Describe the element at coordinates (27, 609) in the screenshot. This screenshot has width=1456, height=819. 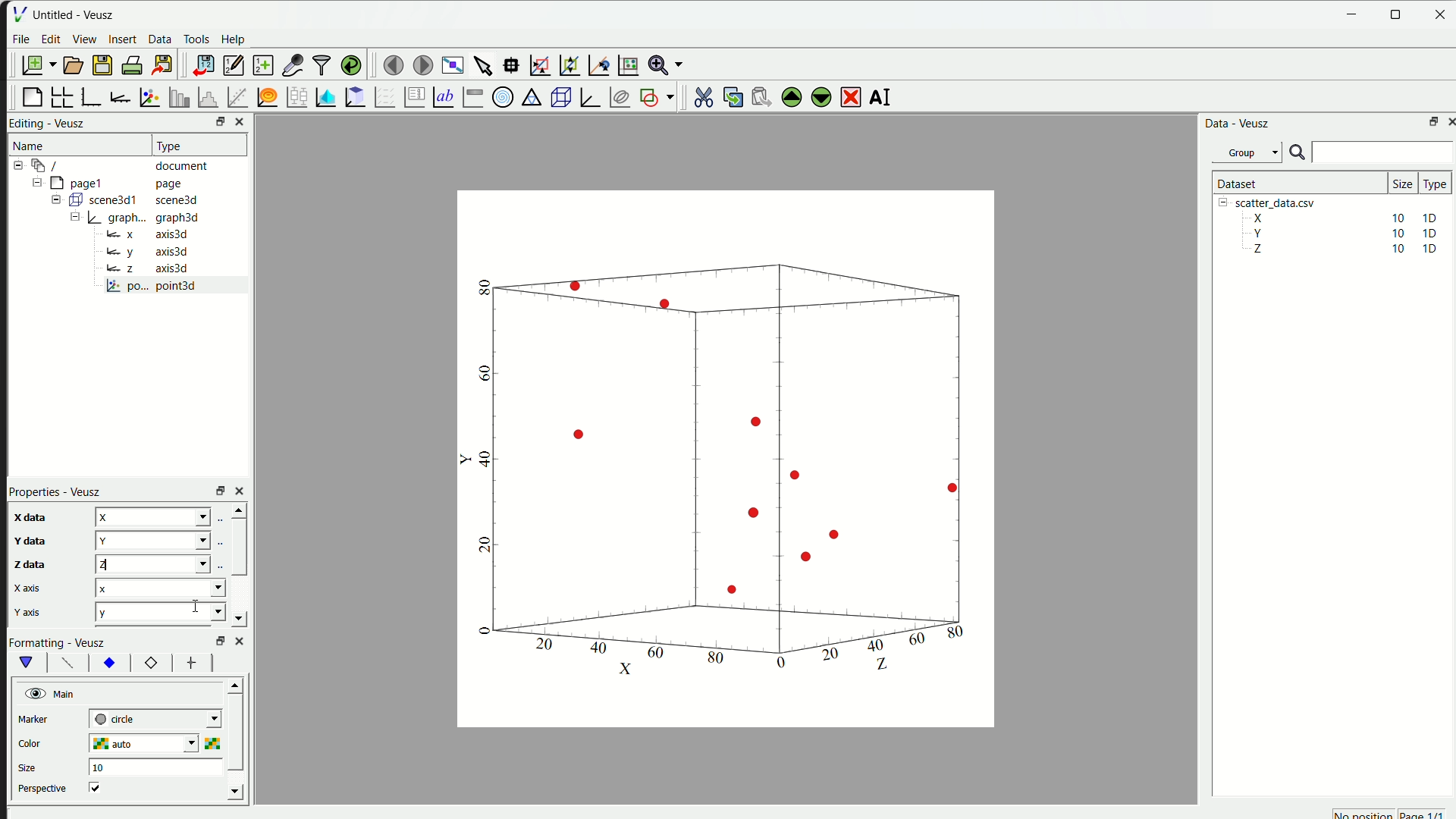
I see `y axis` at that location.